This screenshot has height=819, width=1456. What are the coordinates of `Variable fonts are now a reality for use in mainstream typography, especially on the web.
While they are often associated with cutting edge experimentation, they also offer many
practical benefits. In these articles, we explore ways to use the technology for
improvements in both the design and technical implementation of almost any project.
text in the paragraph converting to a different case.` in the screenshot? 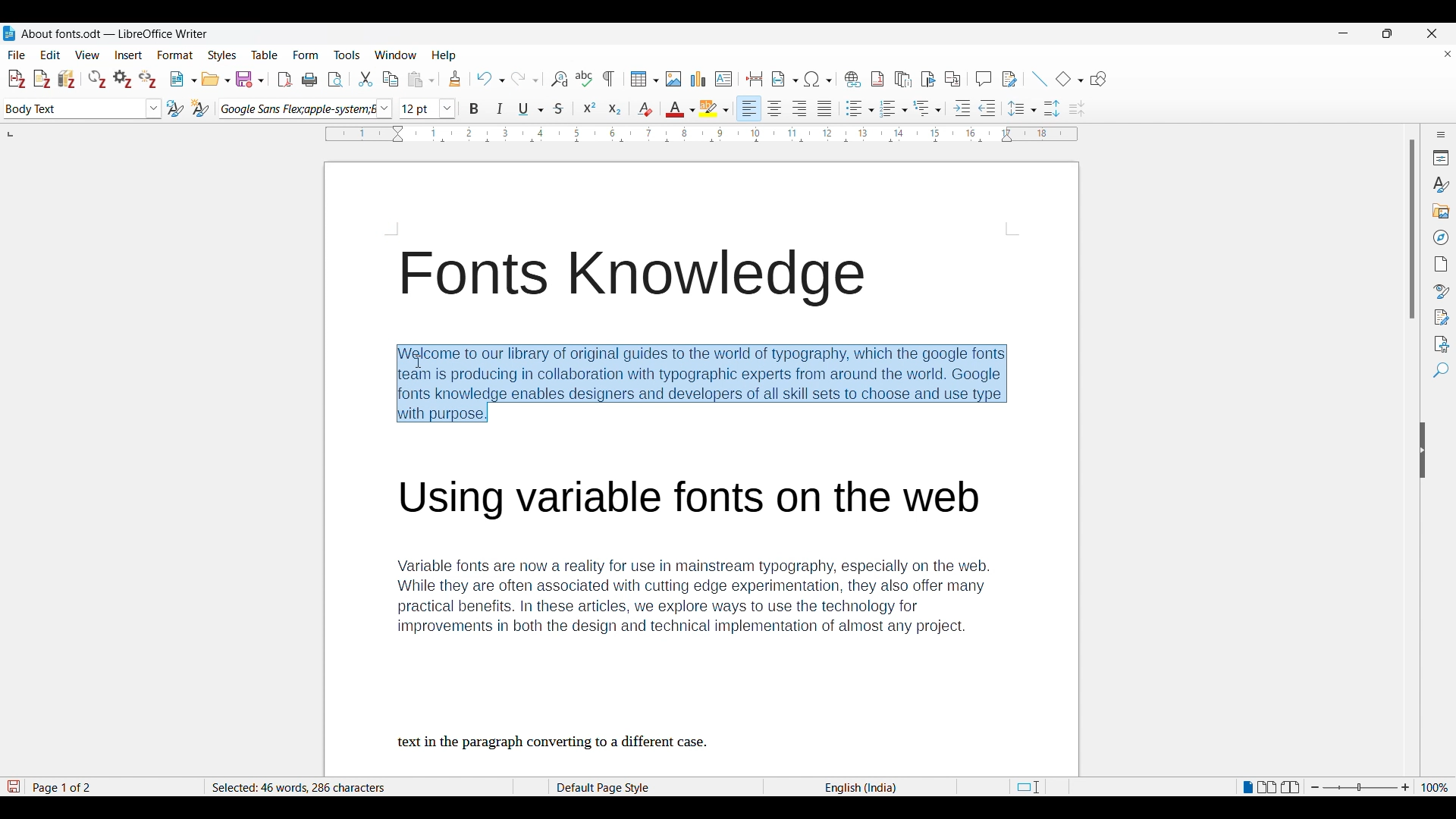 It's located at (712, 614).